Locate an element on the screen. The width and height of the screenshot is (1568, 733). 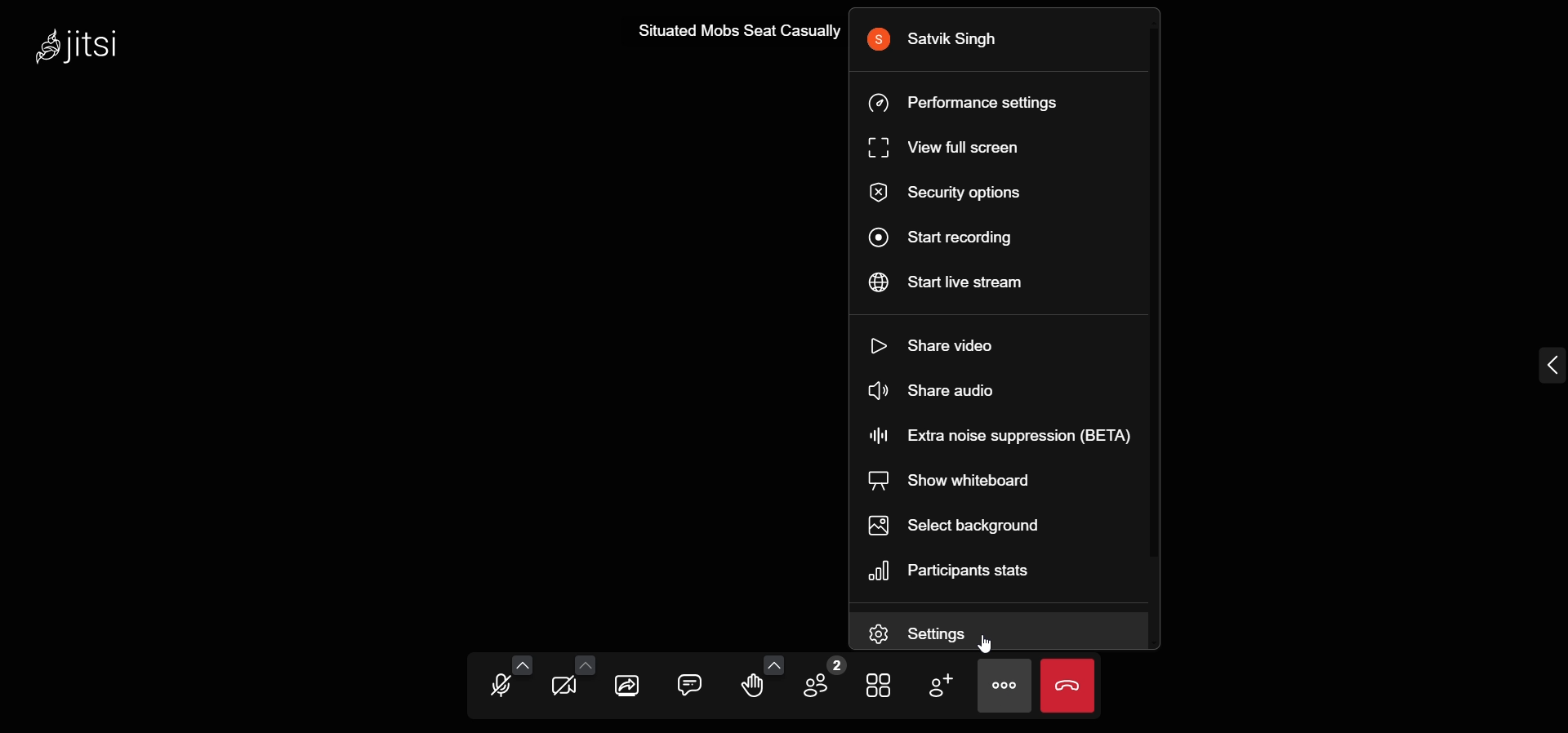
invite people is located at coordinates (942, 684).